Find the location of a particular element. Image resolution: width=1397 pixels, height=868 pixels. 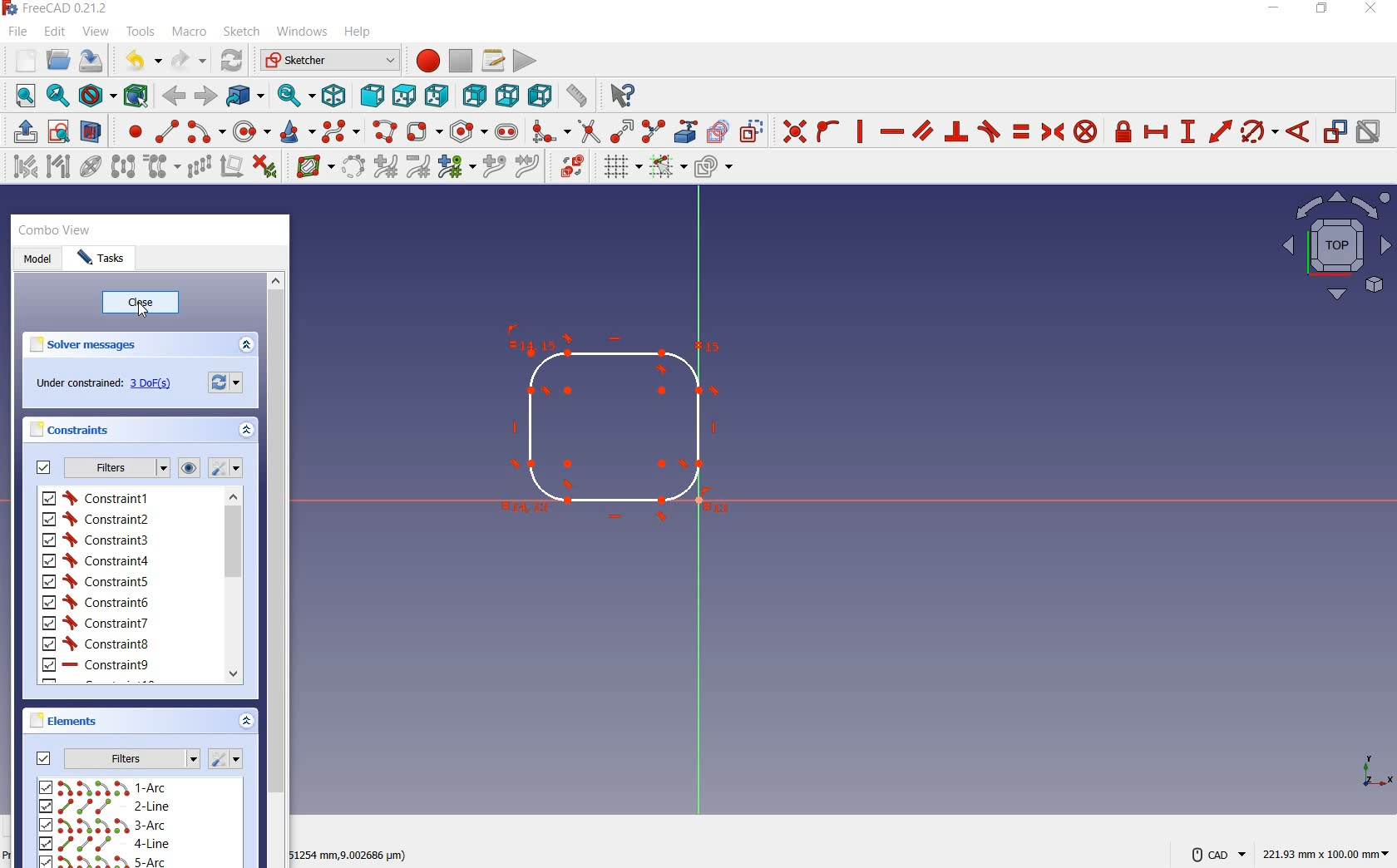

insert knot is located at coordinates (493, 165).